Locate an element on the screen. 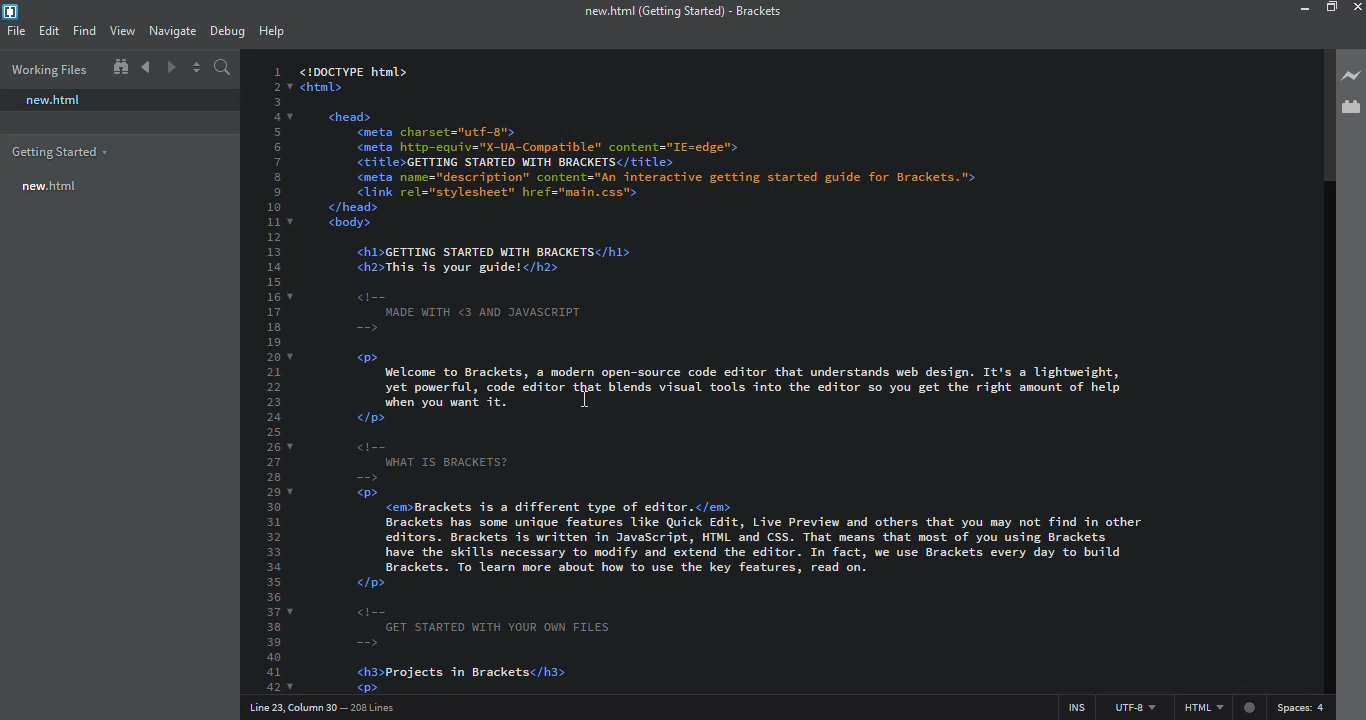 Image resolution: width=1366 pixels, height=720 pixels. line number is located at coordinates (277, 374).